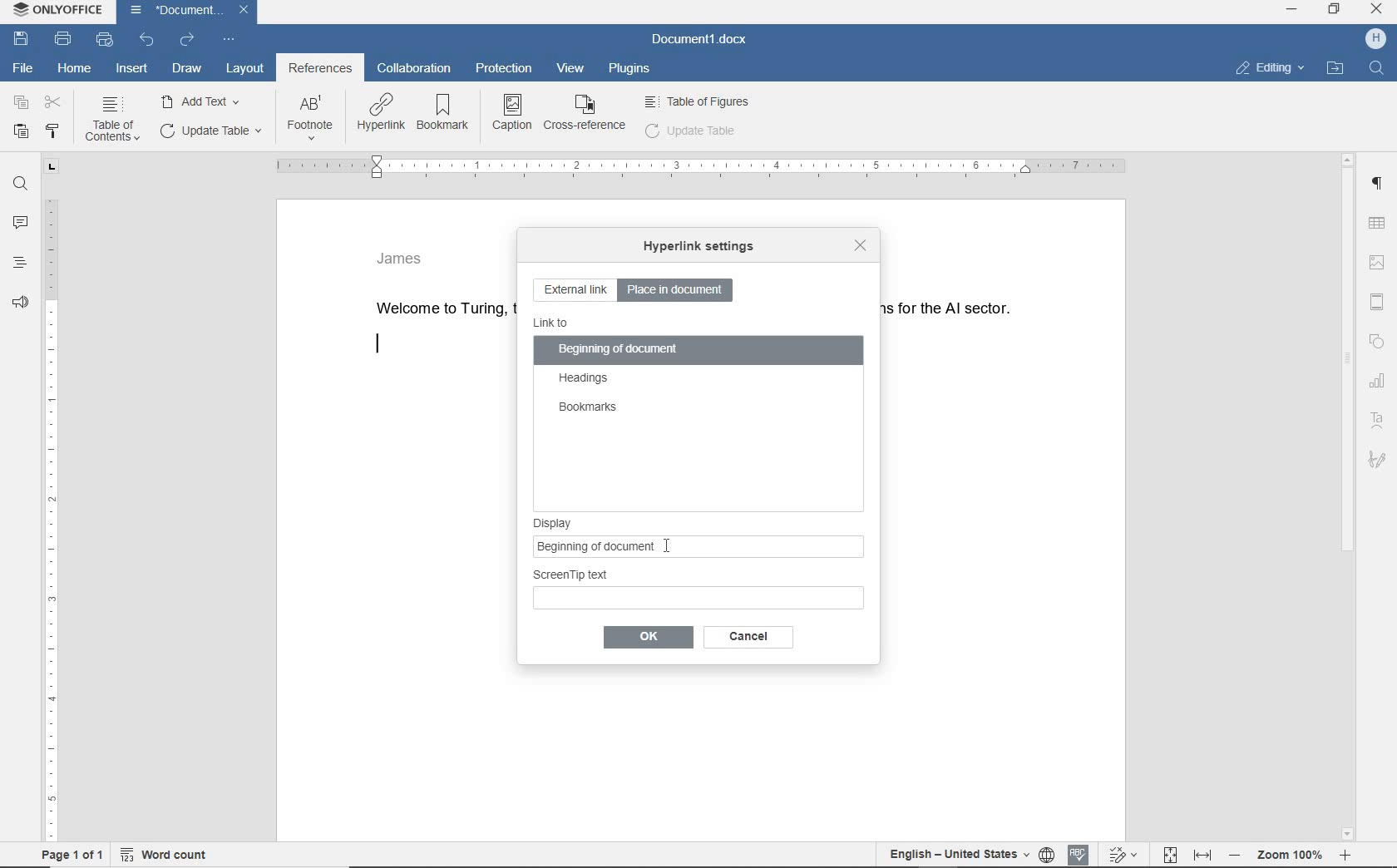 This screenshot has width=1397, height=868. Describe the element at coordinates (691, 131) in the screenshot. I see `update table` at that location.